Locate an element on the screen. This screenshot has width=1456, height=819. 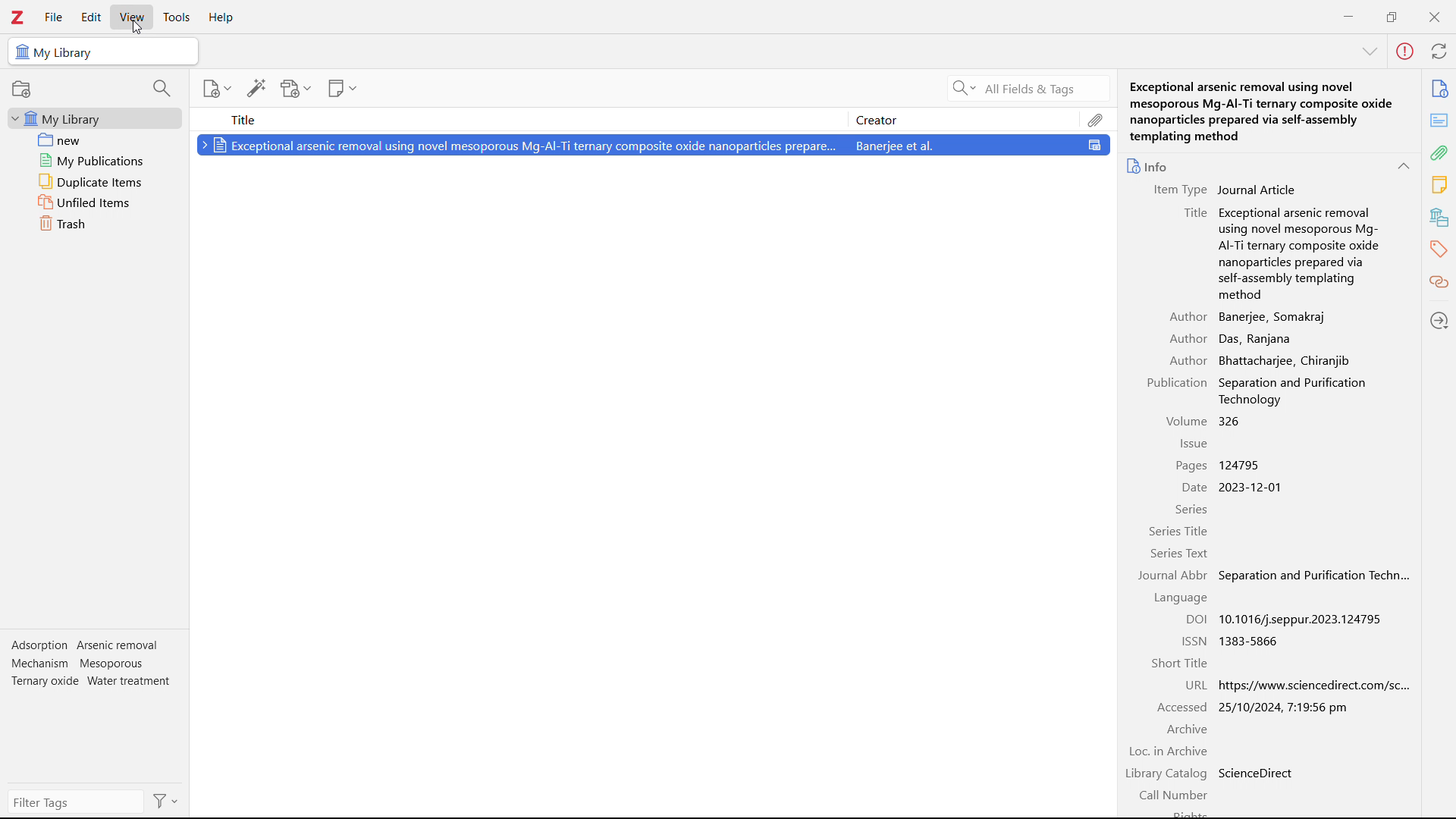
Separation and Purification Techn... is located at coordinates (1315, 577).